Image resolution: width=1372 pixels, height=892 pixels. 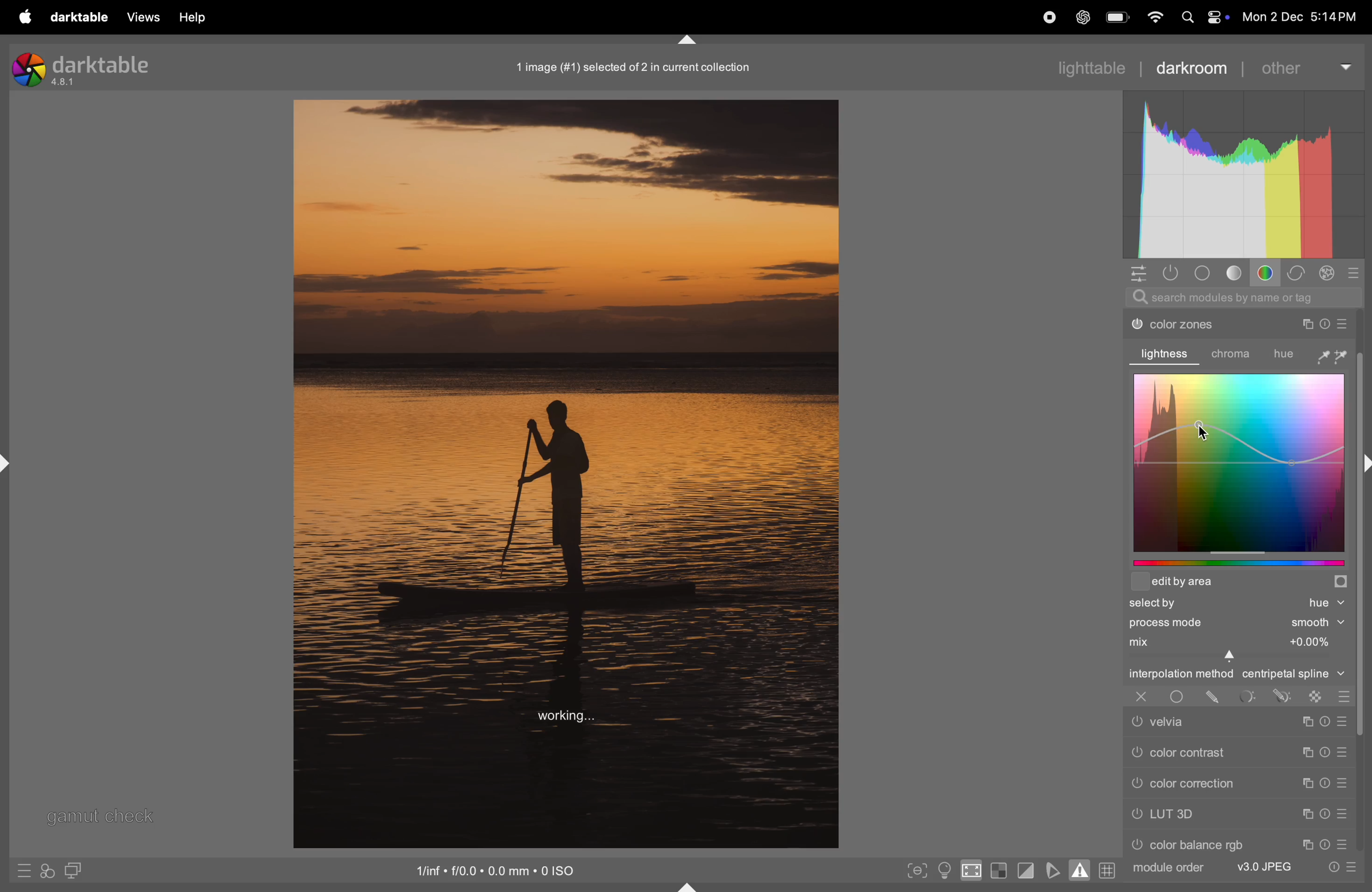 What do you see at coordinates (1308, 814) in the screenshot?
I see `Copy` at bounding box center [1308, 814].